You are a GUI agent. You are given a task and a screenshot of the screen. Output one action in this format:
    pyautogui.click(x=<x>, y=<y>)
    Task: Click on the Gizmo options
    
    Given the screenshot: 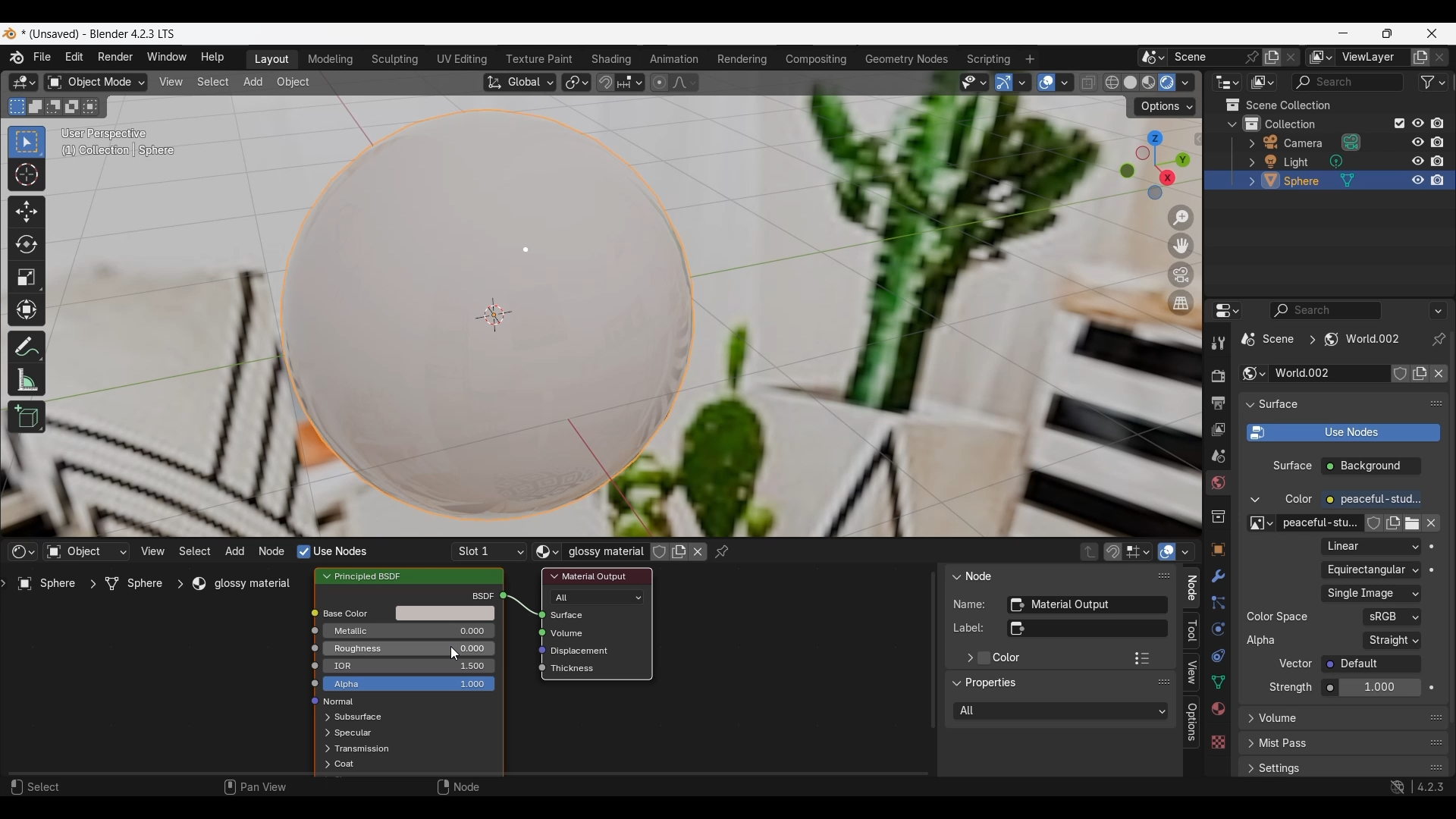 What is the action you would take?
    pyautogui.click(x=1021, y=83)
    